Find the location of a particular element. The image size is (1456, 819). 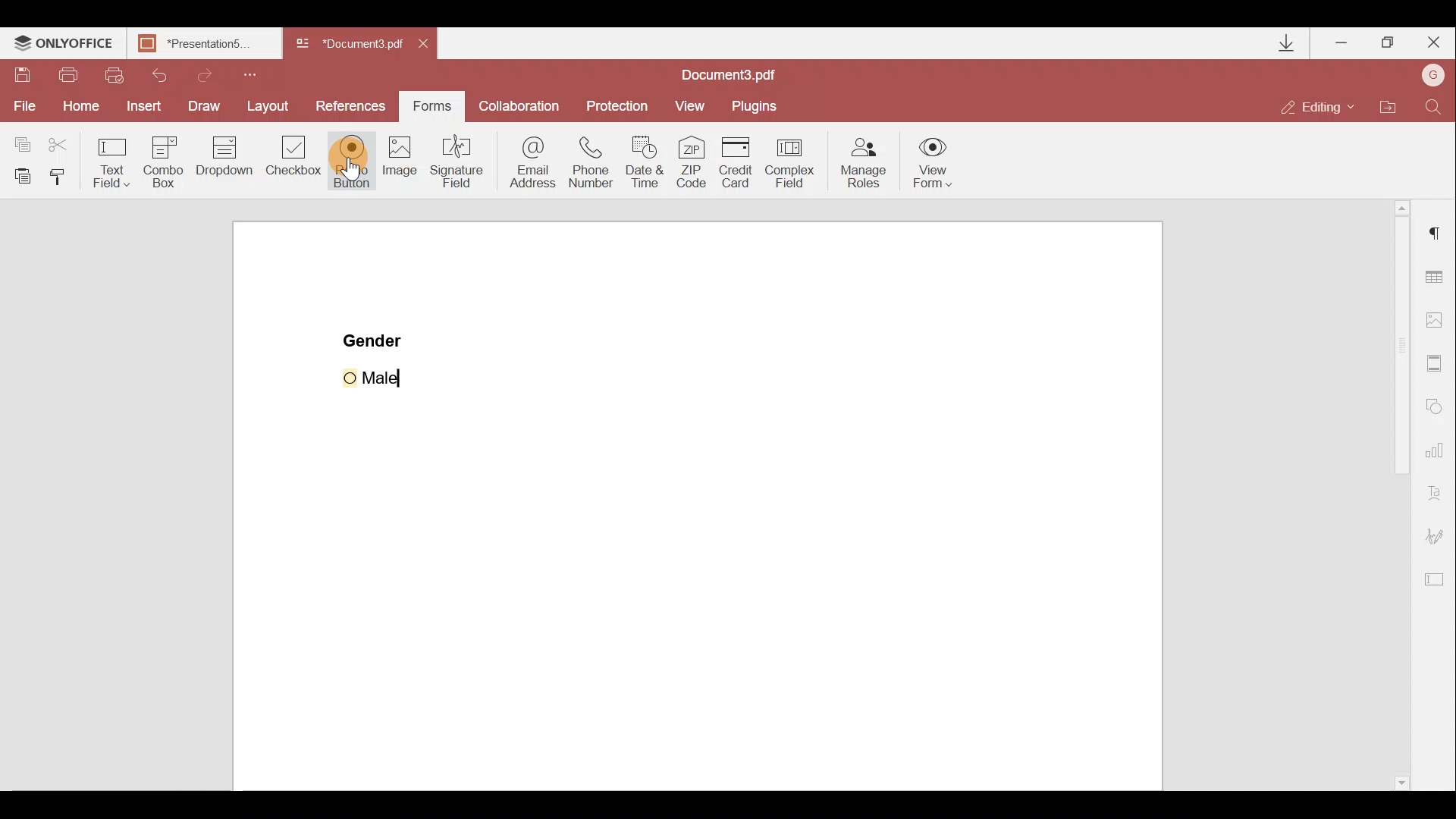

Radio is located at coordinates (352, 162).